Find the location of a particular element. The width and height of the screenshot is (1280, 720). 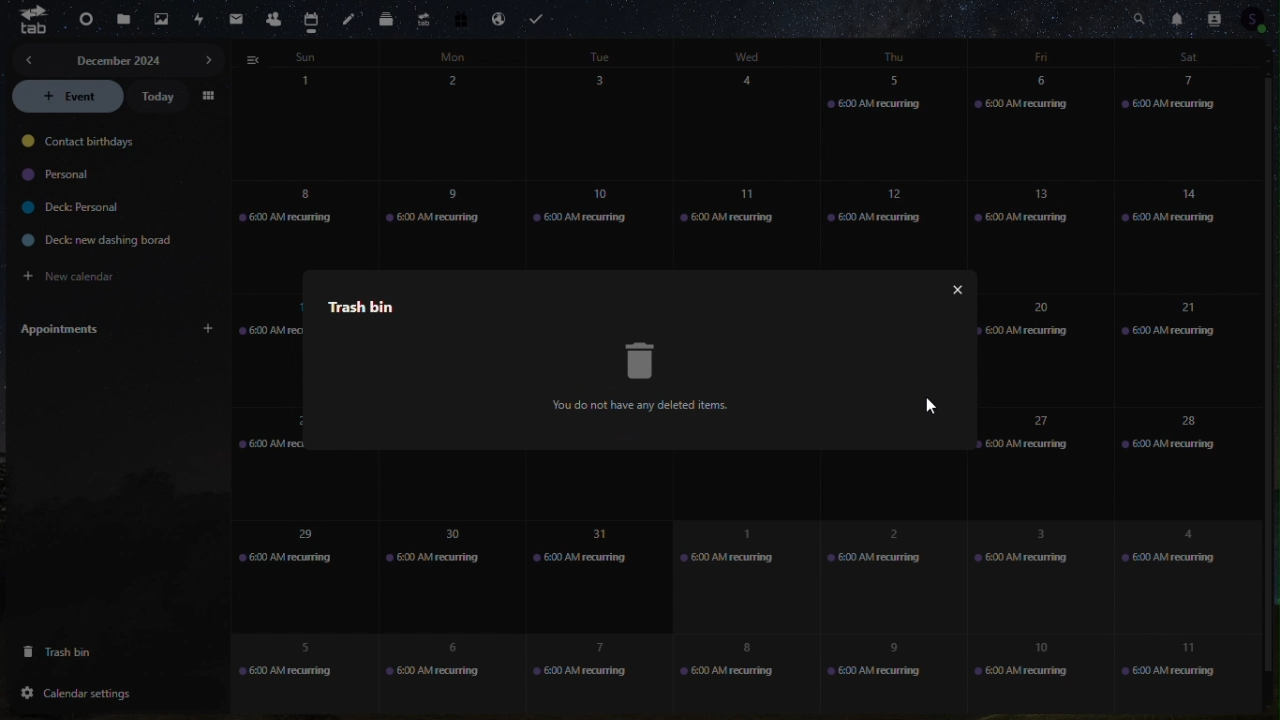

calendar is located at coordinates (312, 16).